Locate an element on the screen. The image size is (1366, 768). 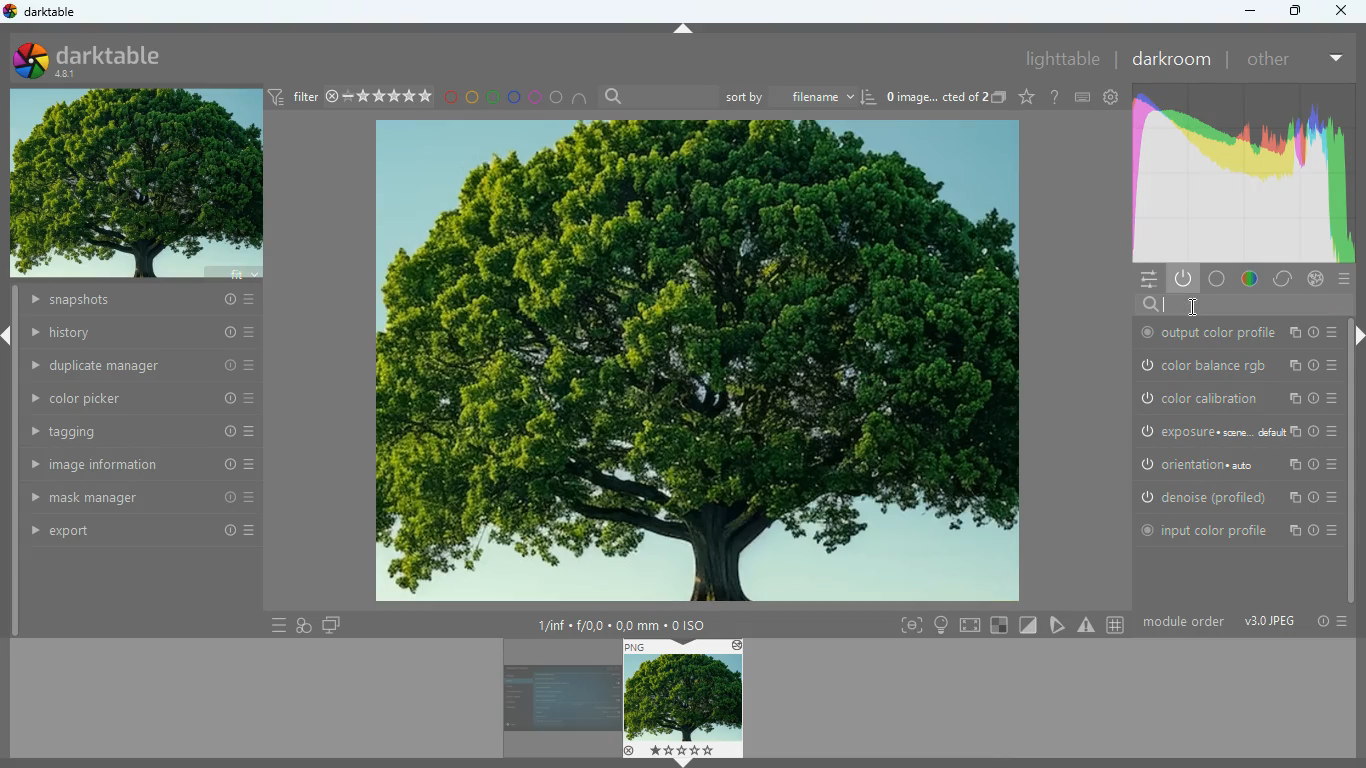
copy is located at coordinates (999, 98).